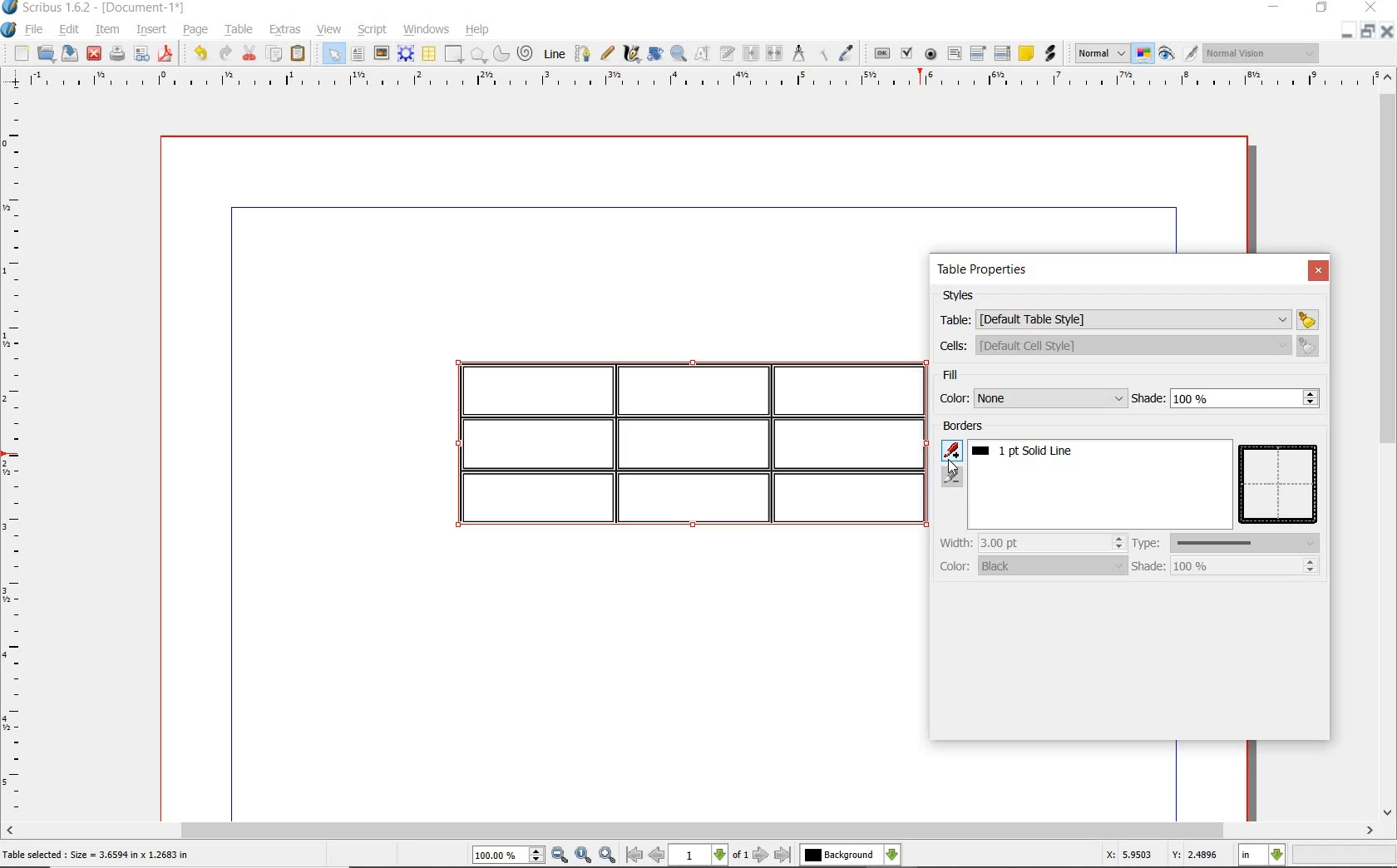 This screenshot has height=868, width=1397. What do you see at coordinates (358, 54) in the screenshot?
I see `text frame` at bounding box center [358, 54].